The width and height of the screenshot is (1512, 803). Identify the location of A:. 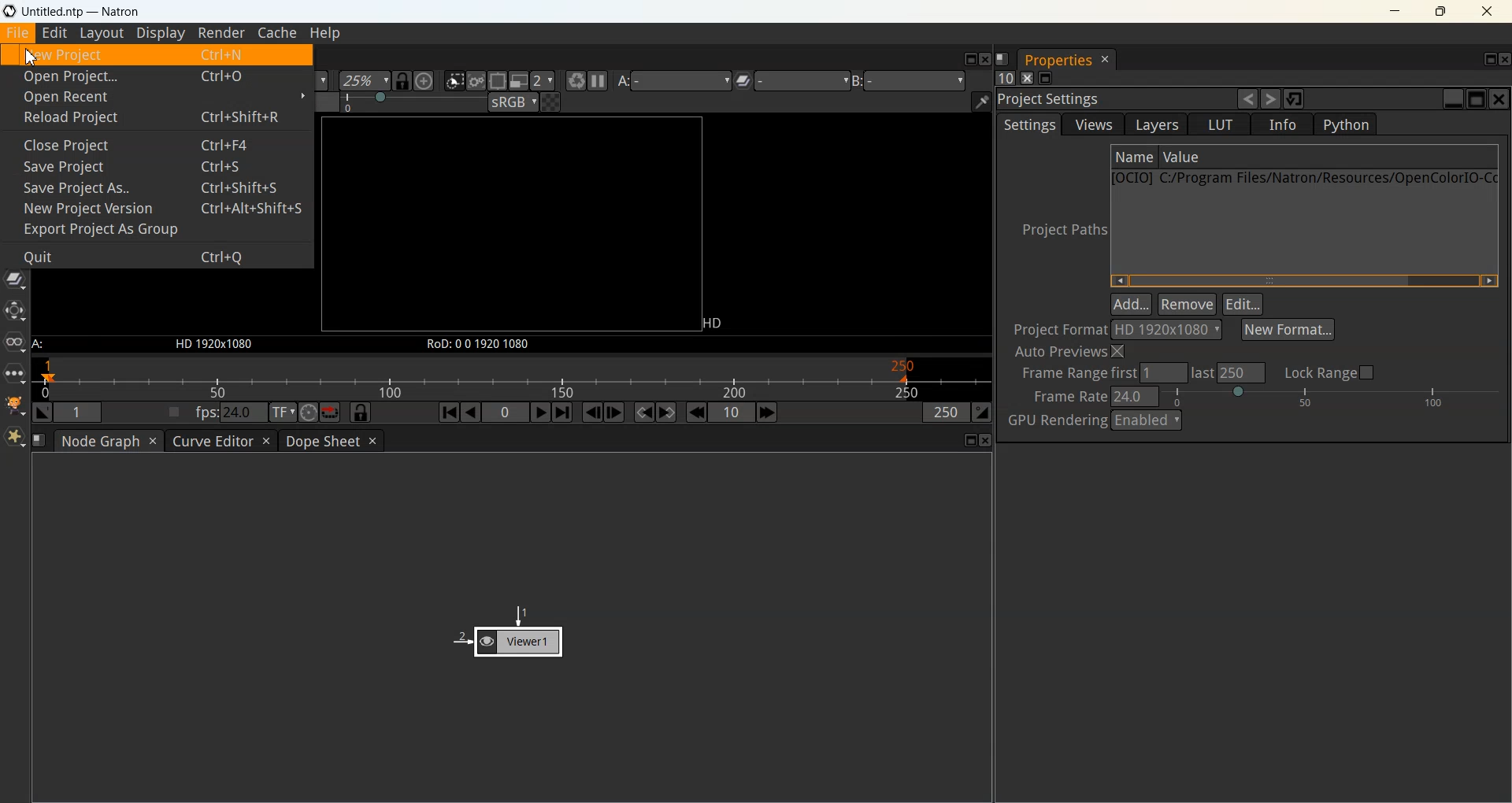
(40, 345).